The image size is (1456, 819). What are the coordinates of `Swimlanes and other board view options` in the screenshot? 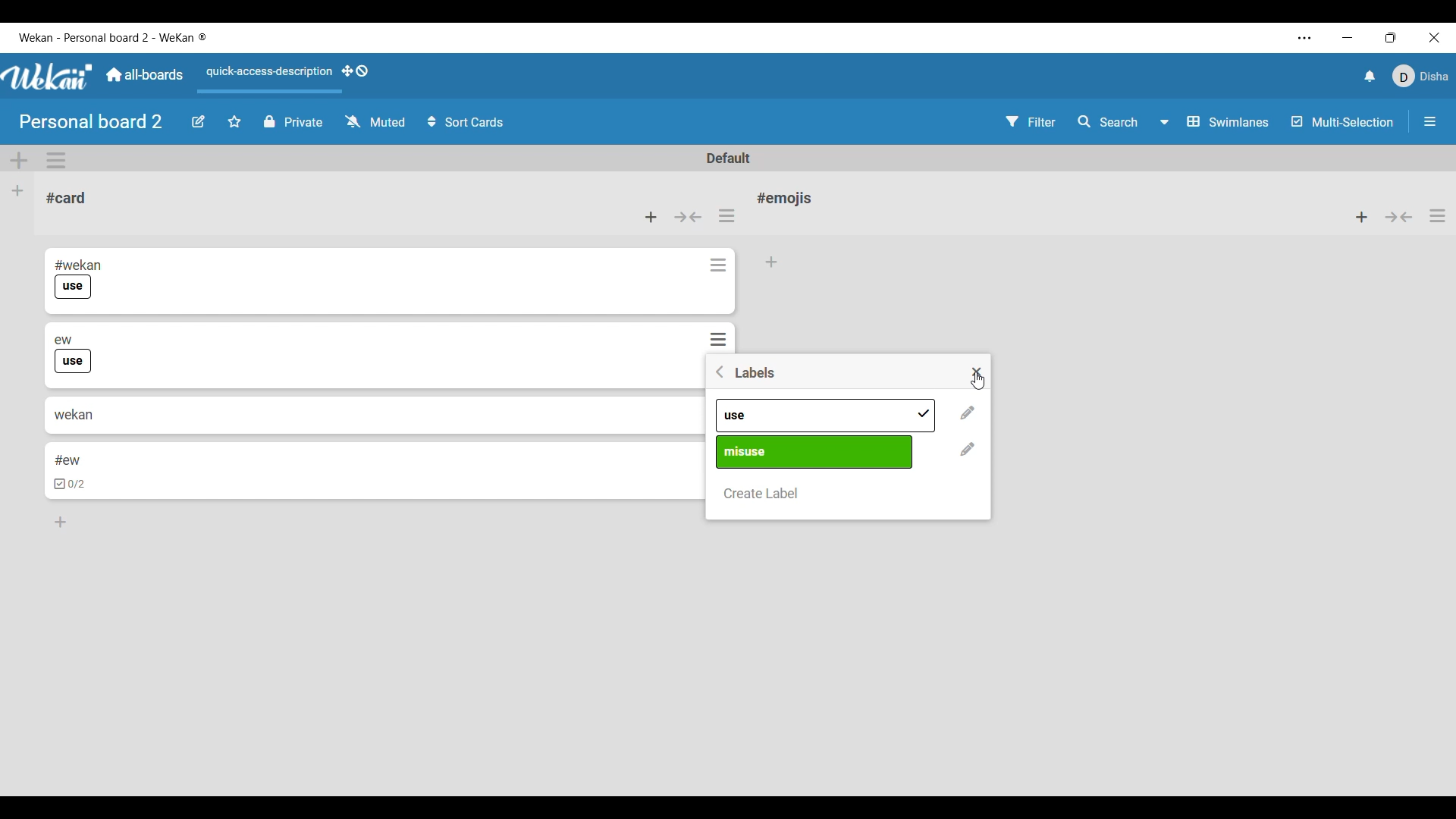 It's located at (1213, 121).